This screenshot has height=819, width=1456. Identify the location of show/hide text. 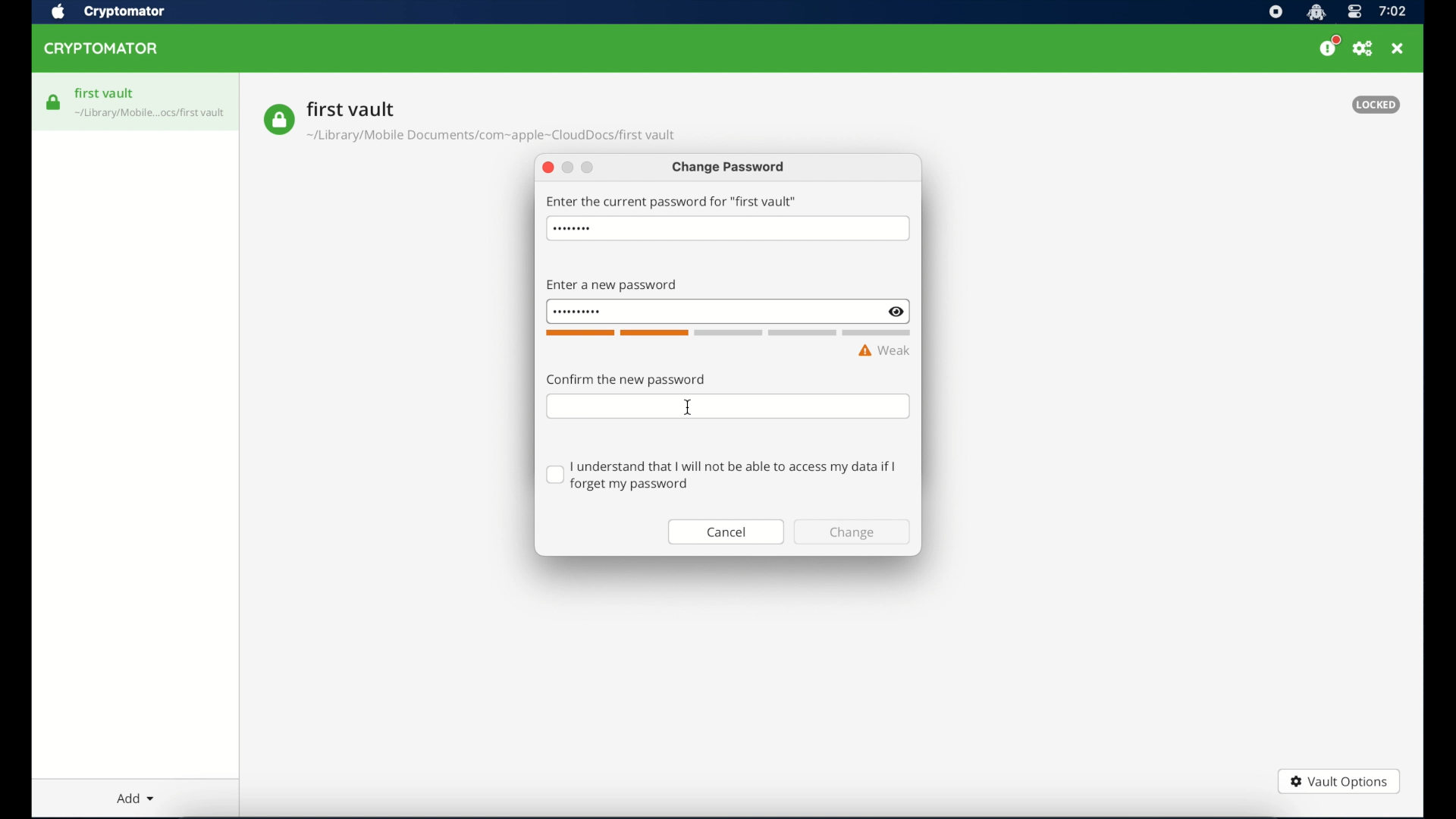
(895, 312).